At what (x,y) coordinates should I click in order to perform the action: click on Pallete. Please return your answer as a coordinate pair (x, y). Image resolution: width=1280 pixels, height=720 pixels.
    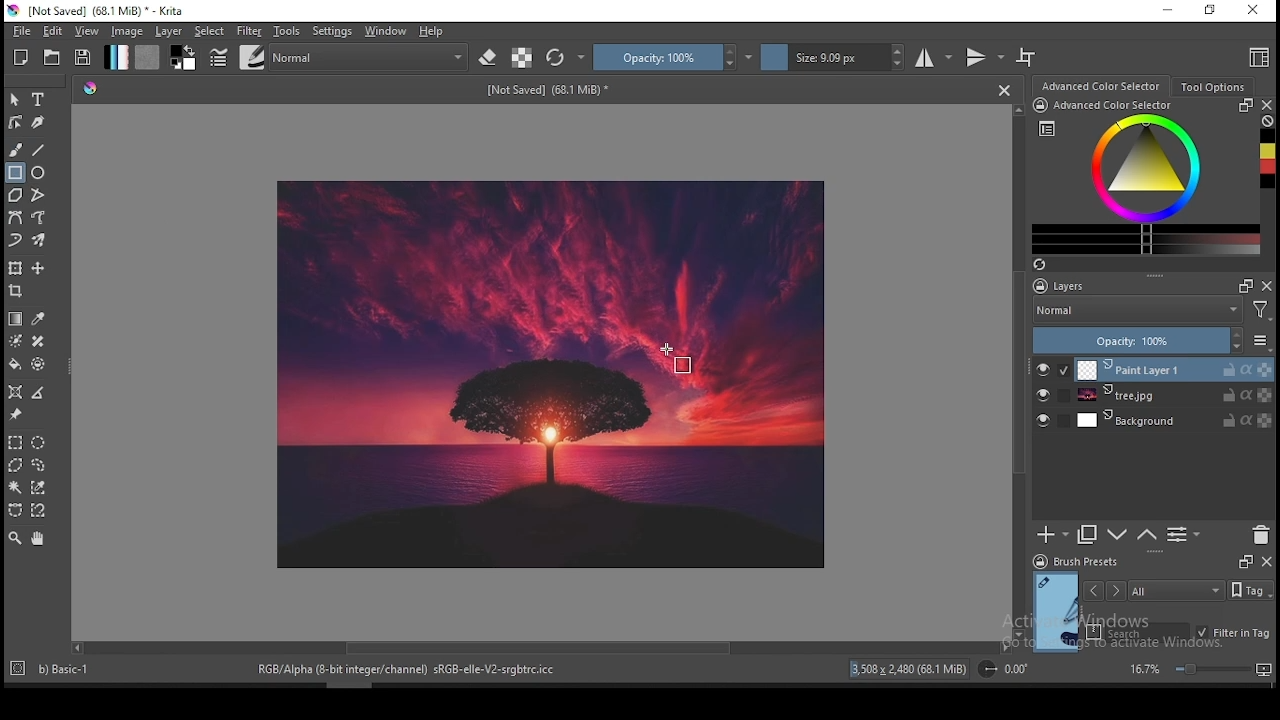
    Looking at the image, I should click on (91, 90).